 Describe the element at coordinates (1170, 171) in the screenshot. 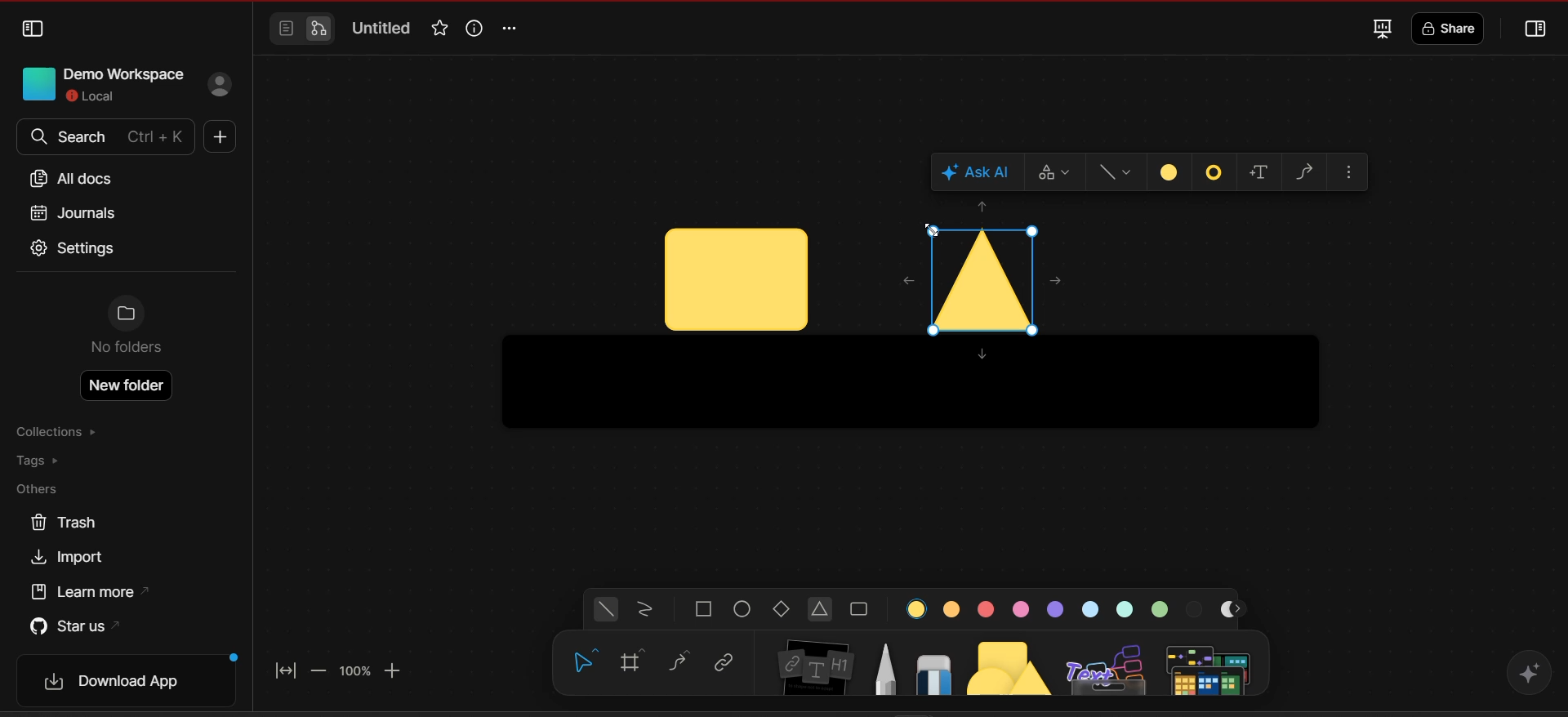

I see `fill color` at that location.